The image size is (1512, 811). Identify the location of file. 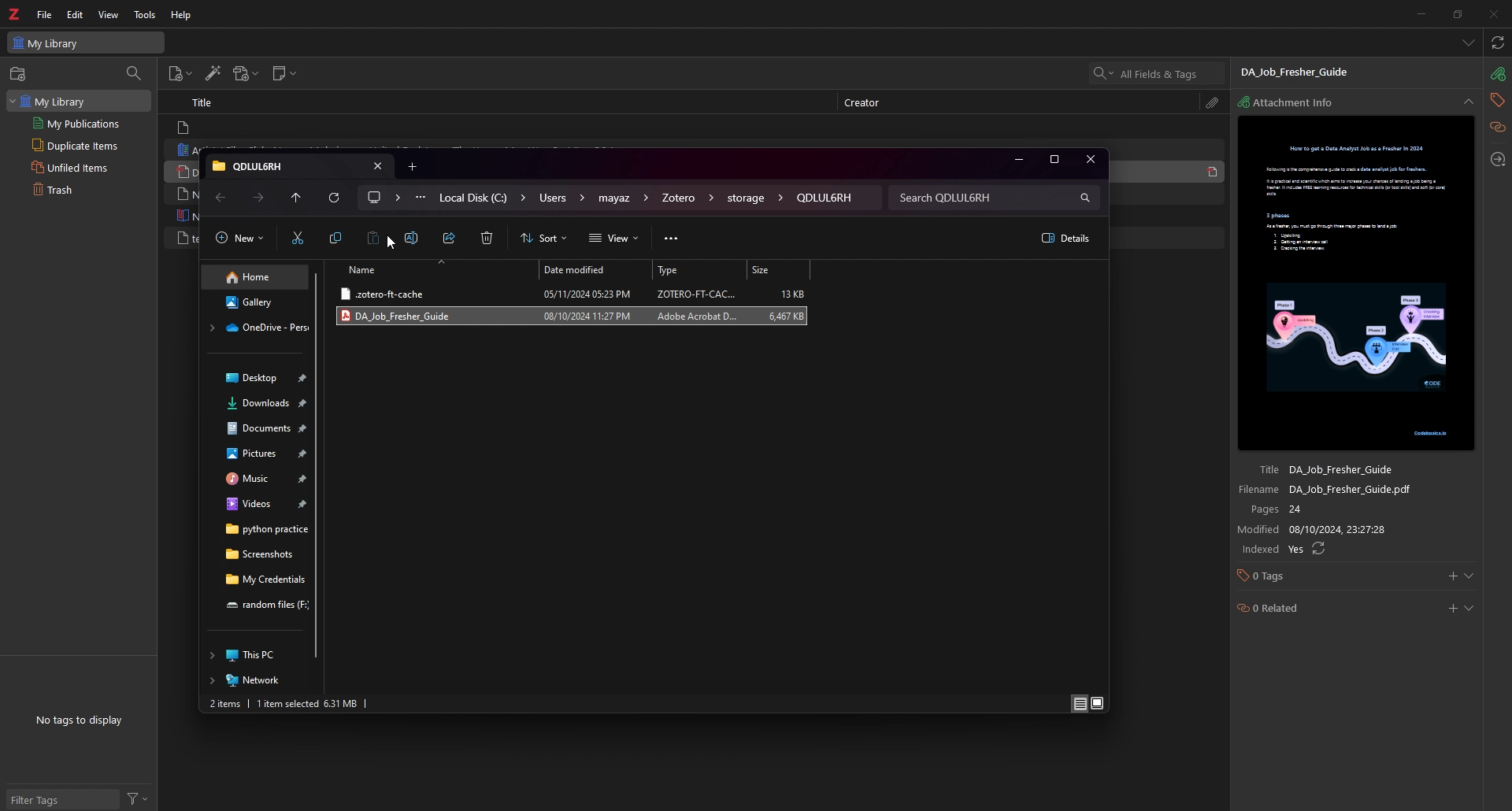
(571, 317).